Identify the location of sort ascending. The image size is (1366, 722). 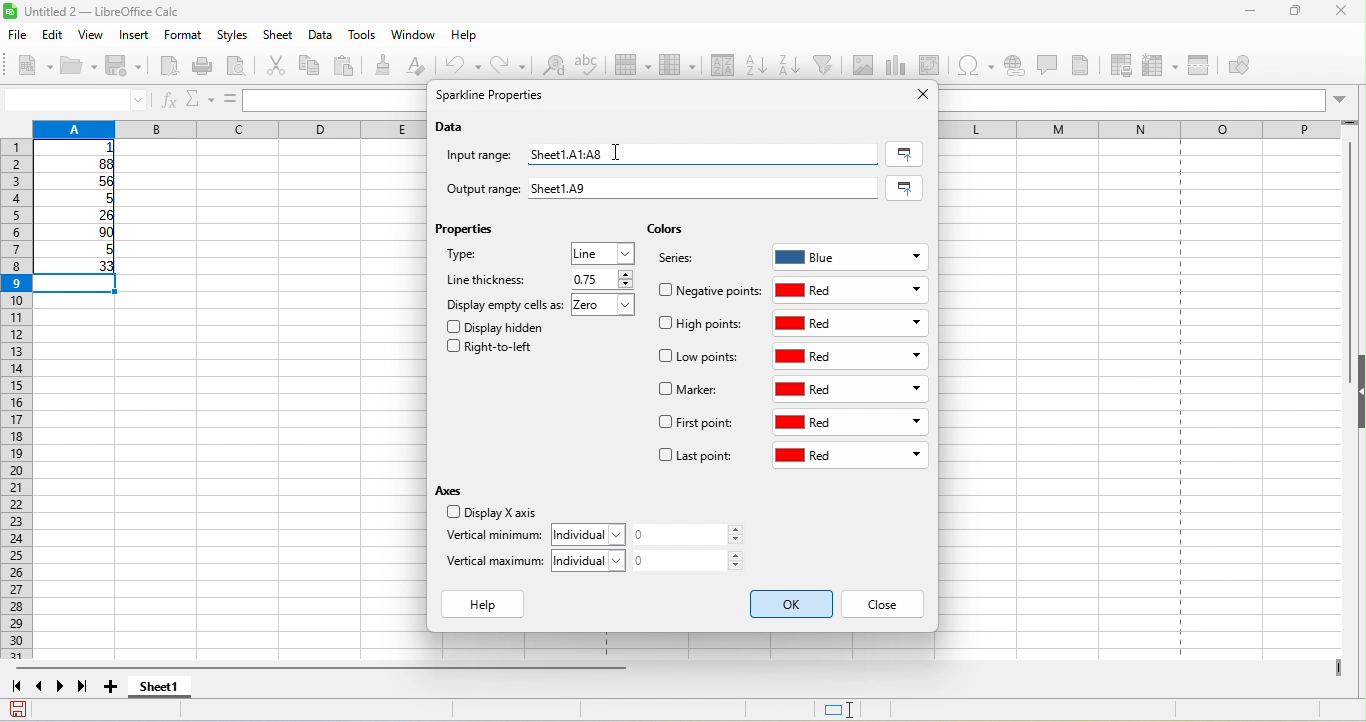
(759, 63).